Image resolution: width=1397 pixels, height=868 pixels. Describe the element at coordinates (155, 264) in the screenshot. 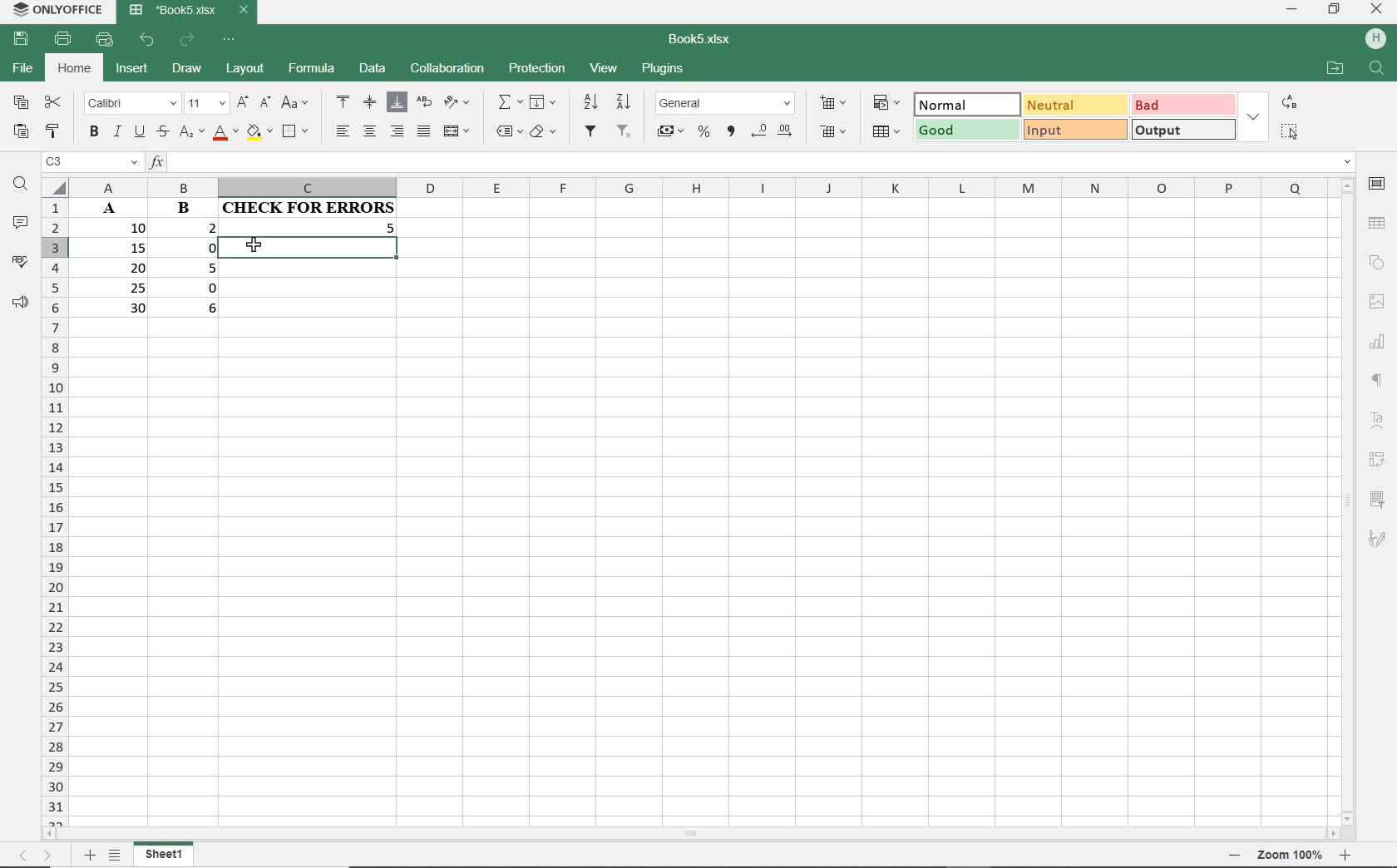

I see `DATA` at that location.